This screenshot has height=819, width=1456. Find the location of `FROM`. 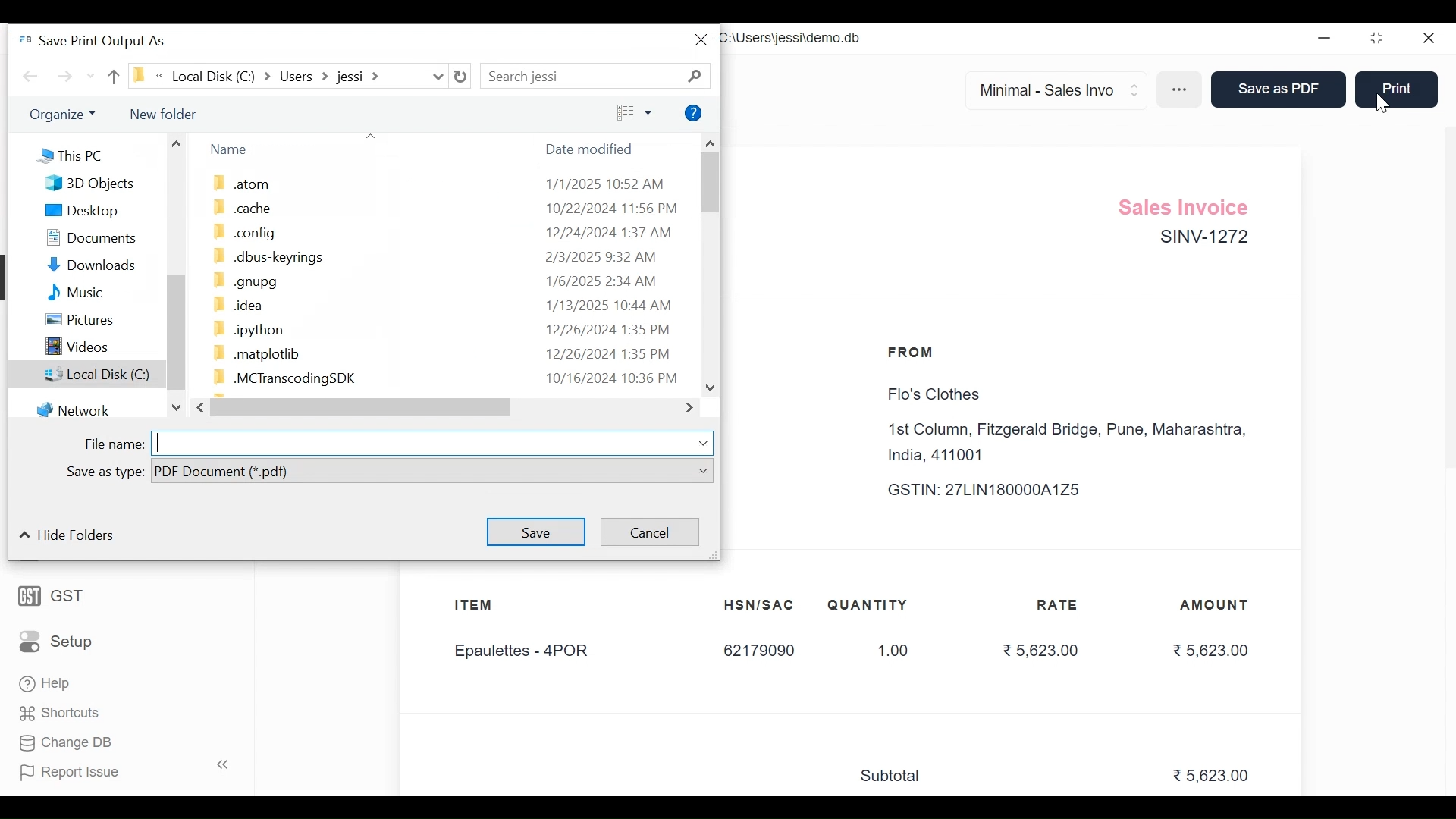

FROM is located at coordinates (915, 353).